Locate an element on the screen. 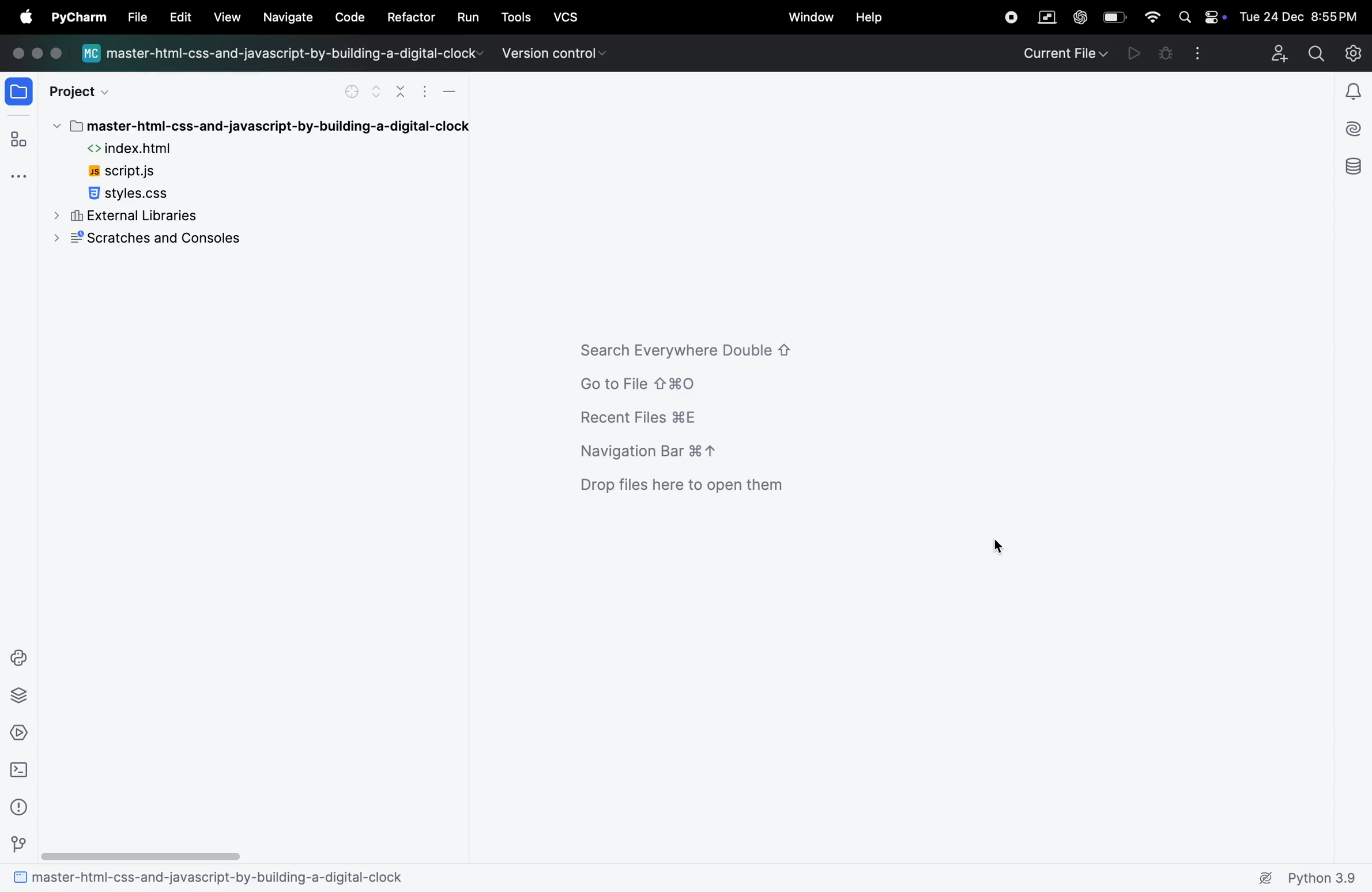 Image resolution: width=1372 pixels, height=892 pixels. view is located at coordinates (227, 16).